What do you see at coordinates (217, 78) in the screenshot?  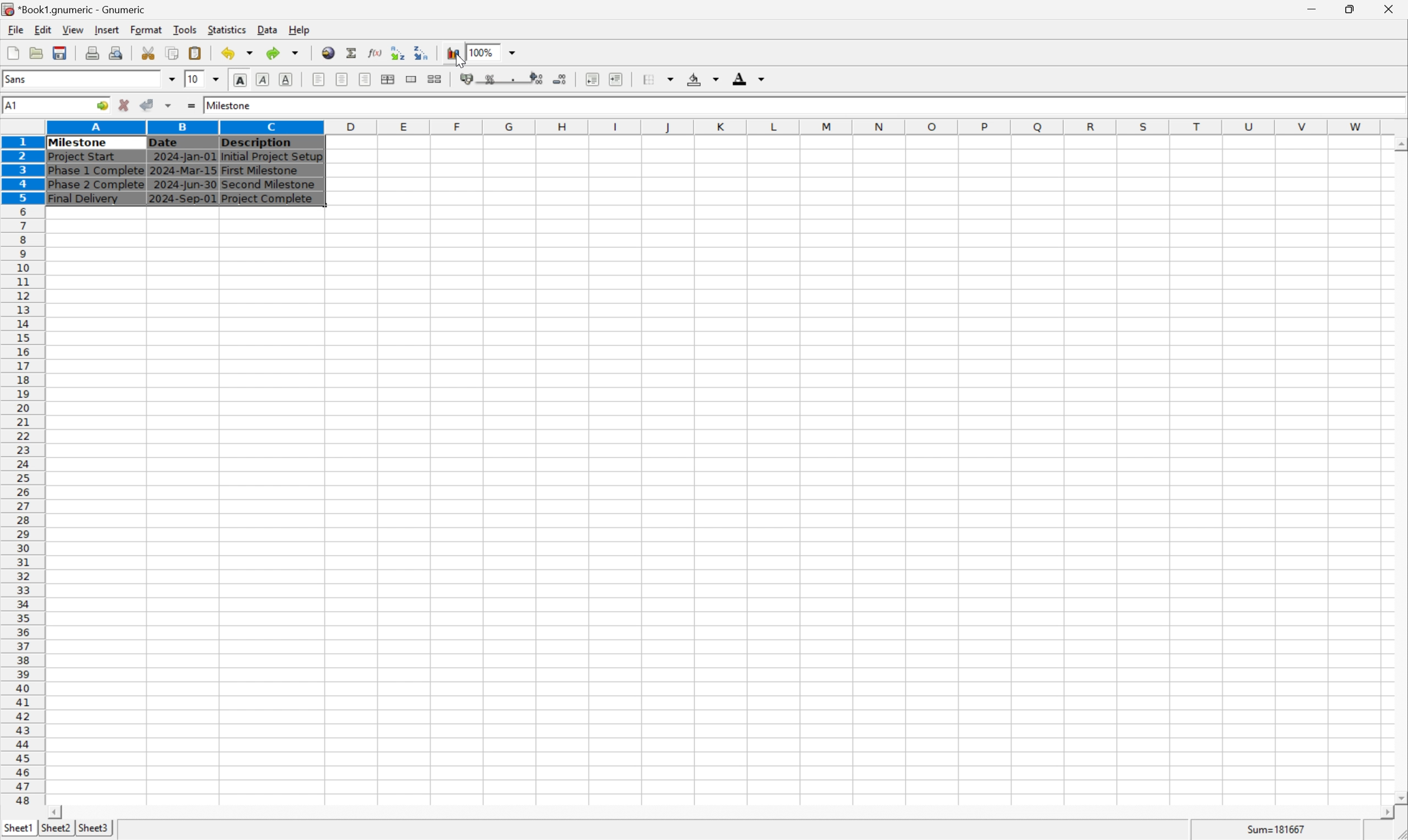 I see `drop down` at bounding box center [217, 78].